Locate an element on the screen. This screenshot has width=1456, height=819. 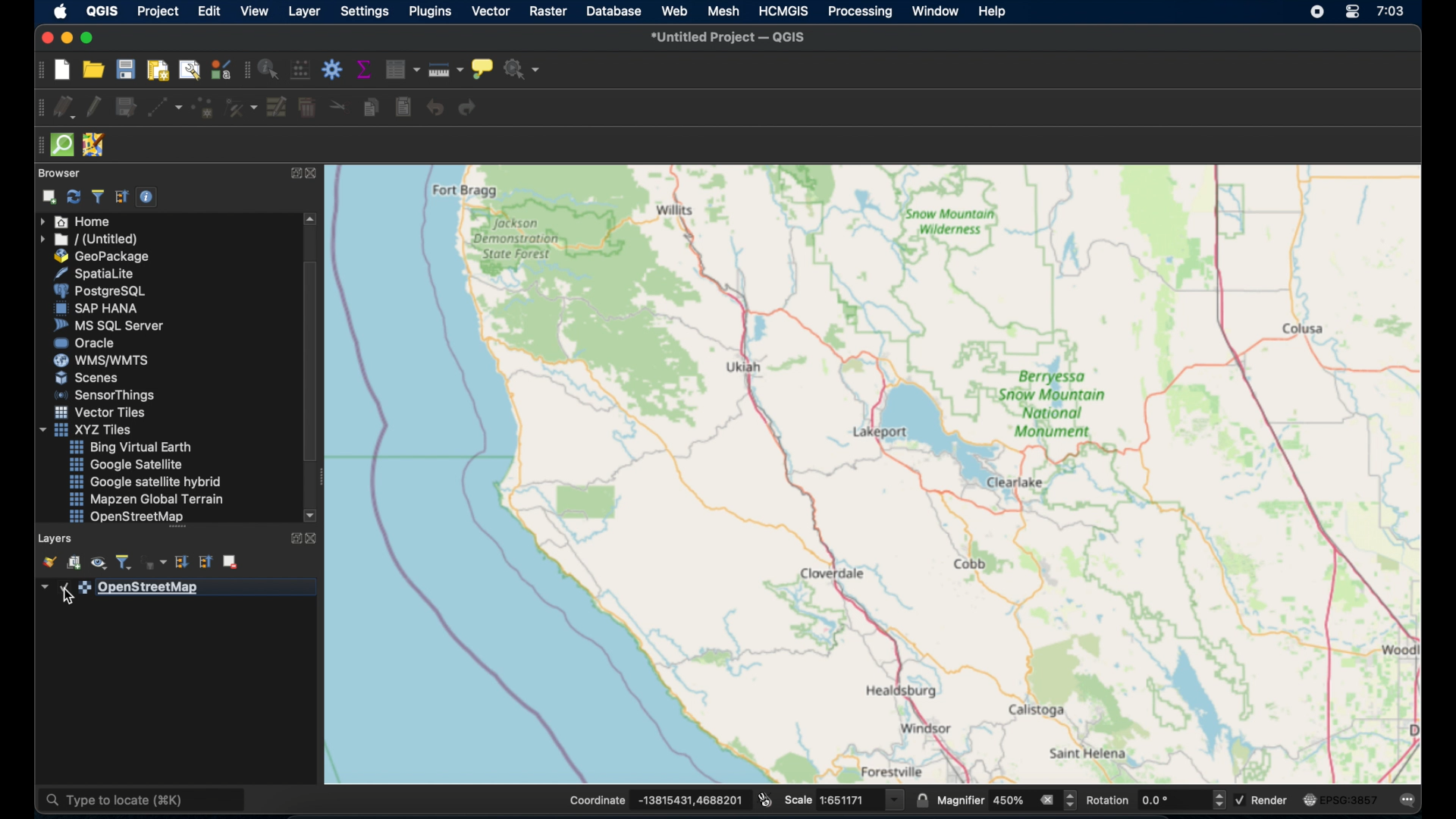
sensor things is located at coordinates (105, 395).